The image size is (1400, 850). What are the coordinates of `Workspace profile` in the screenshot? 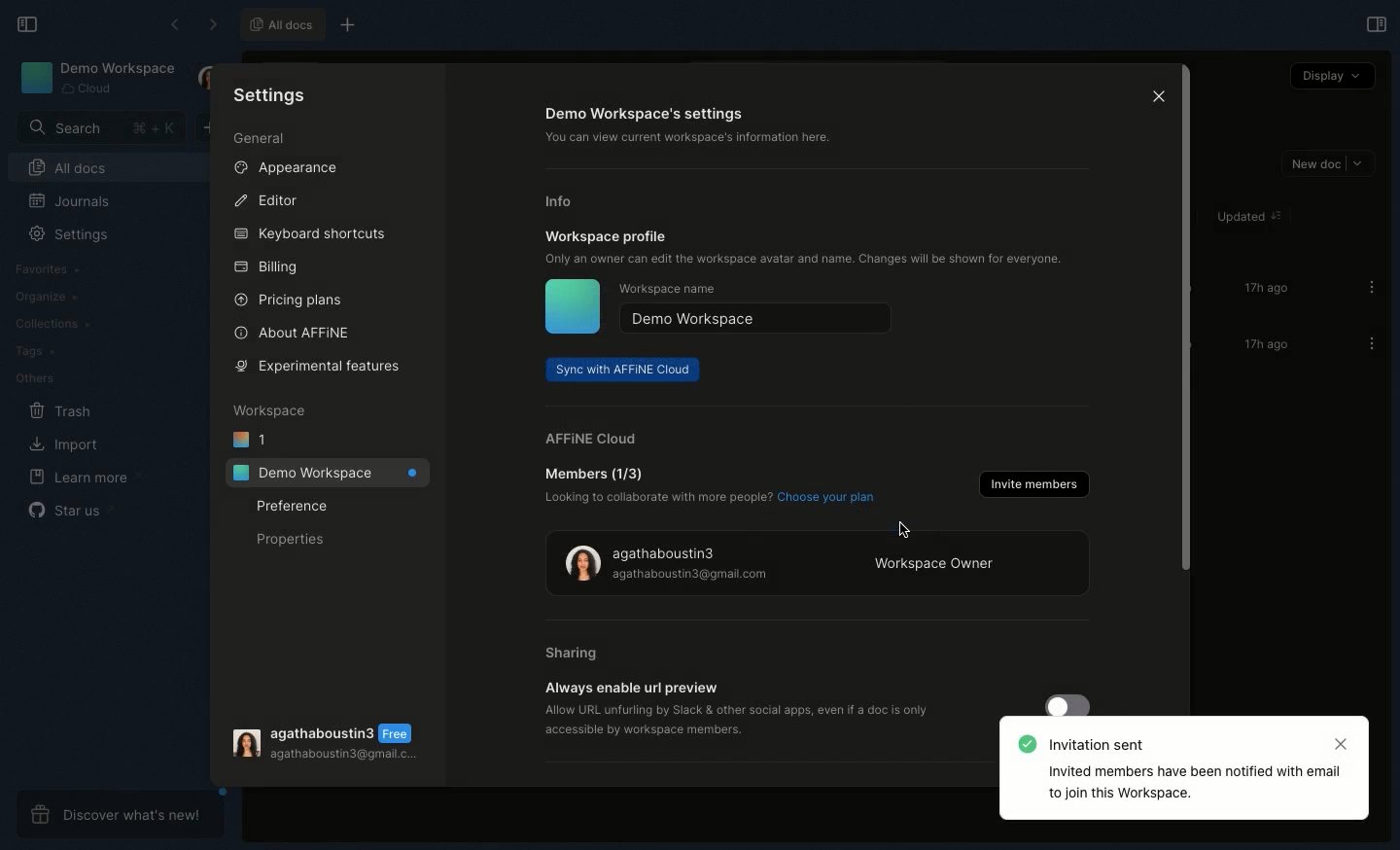 It's located at (607, 235).